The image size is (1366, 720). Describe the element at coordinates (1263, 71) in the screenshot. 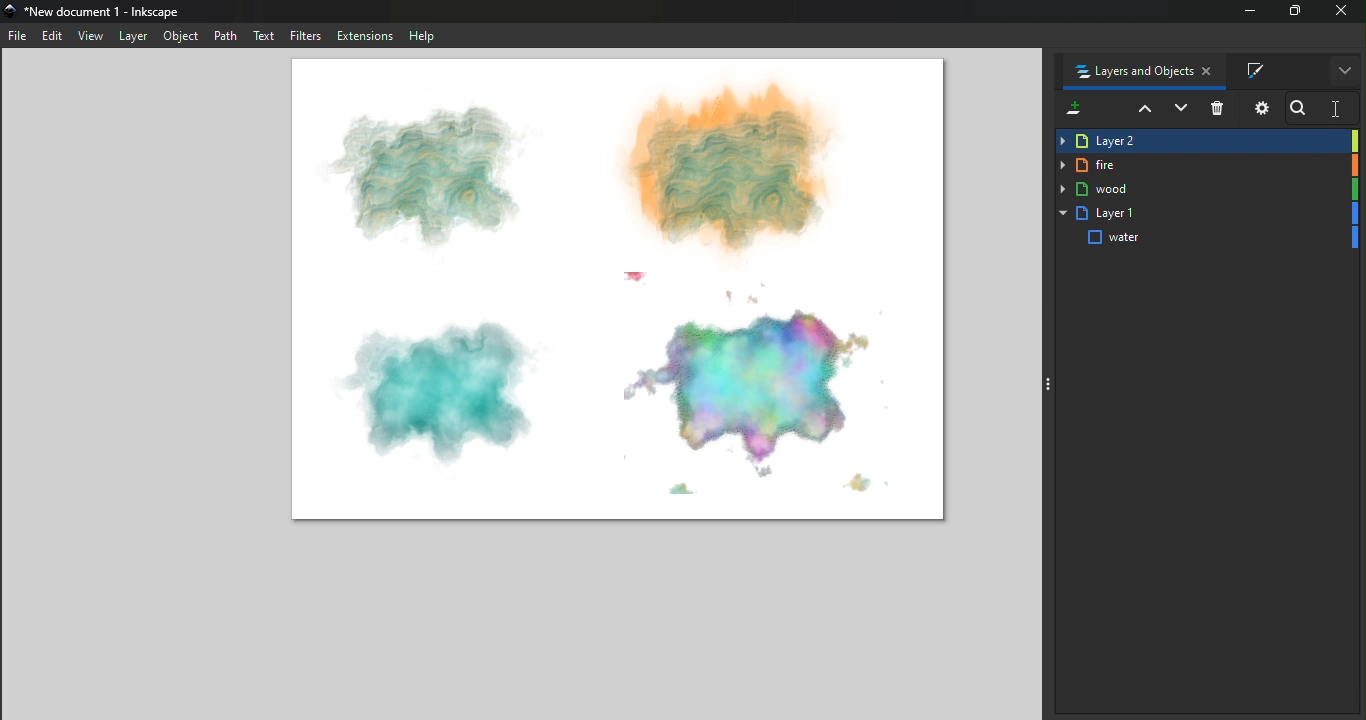

I see `Fill and stroke` at that location.